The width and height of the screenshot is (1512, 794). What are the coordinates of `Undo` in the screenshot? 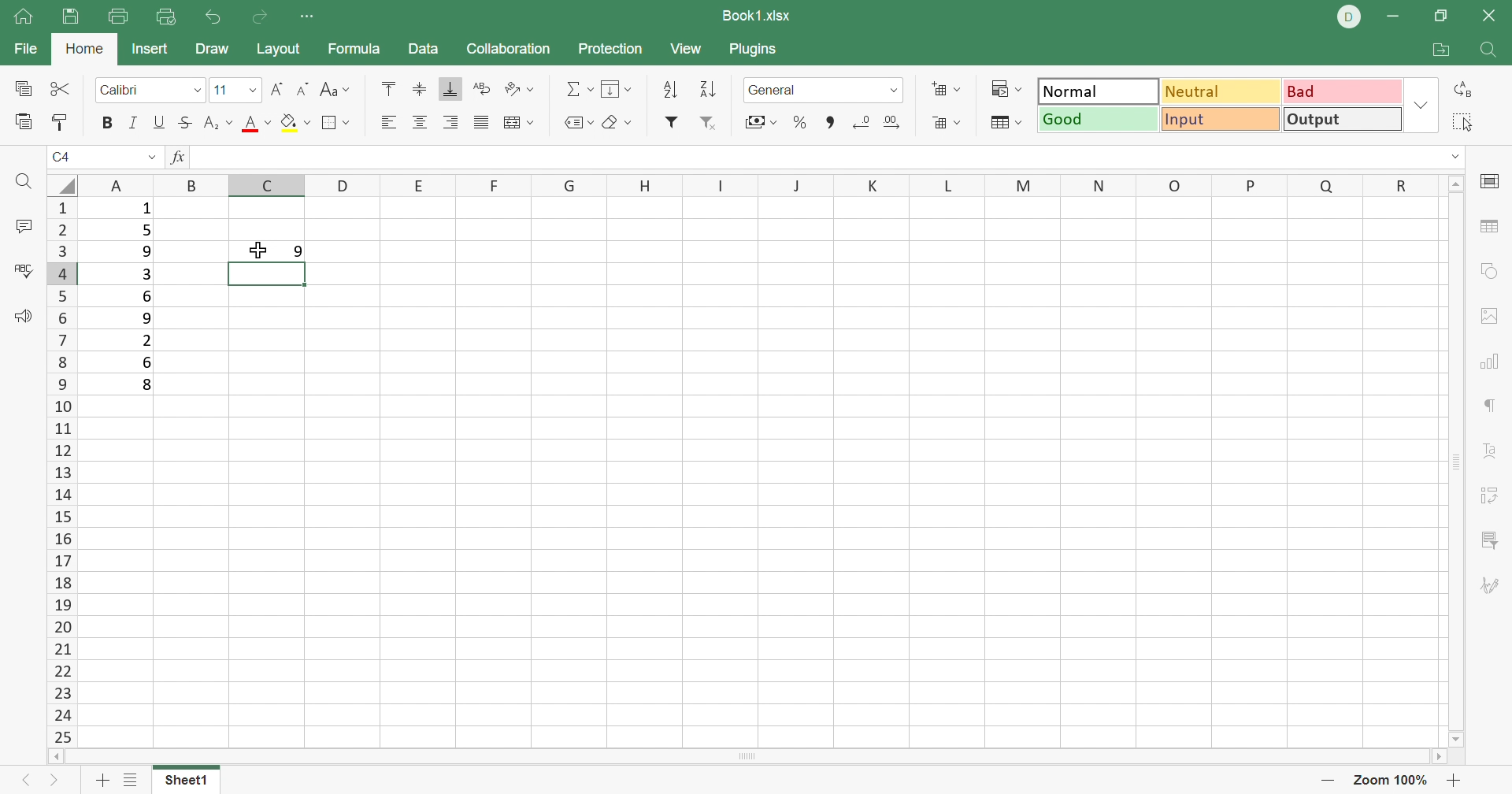 It's located at (213, 18).